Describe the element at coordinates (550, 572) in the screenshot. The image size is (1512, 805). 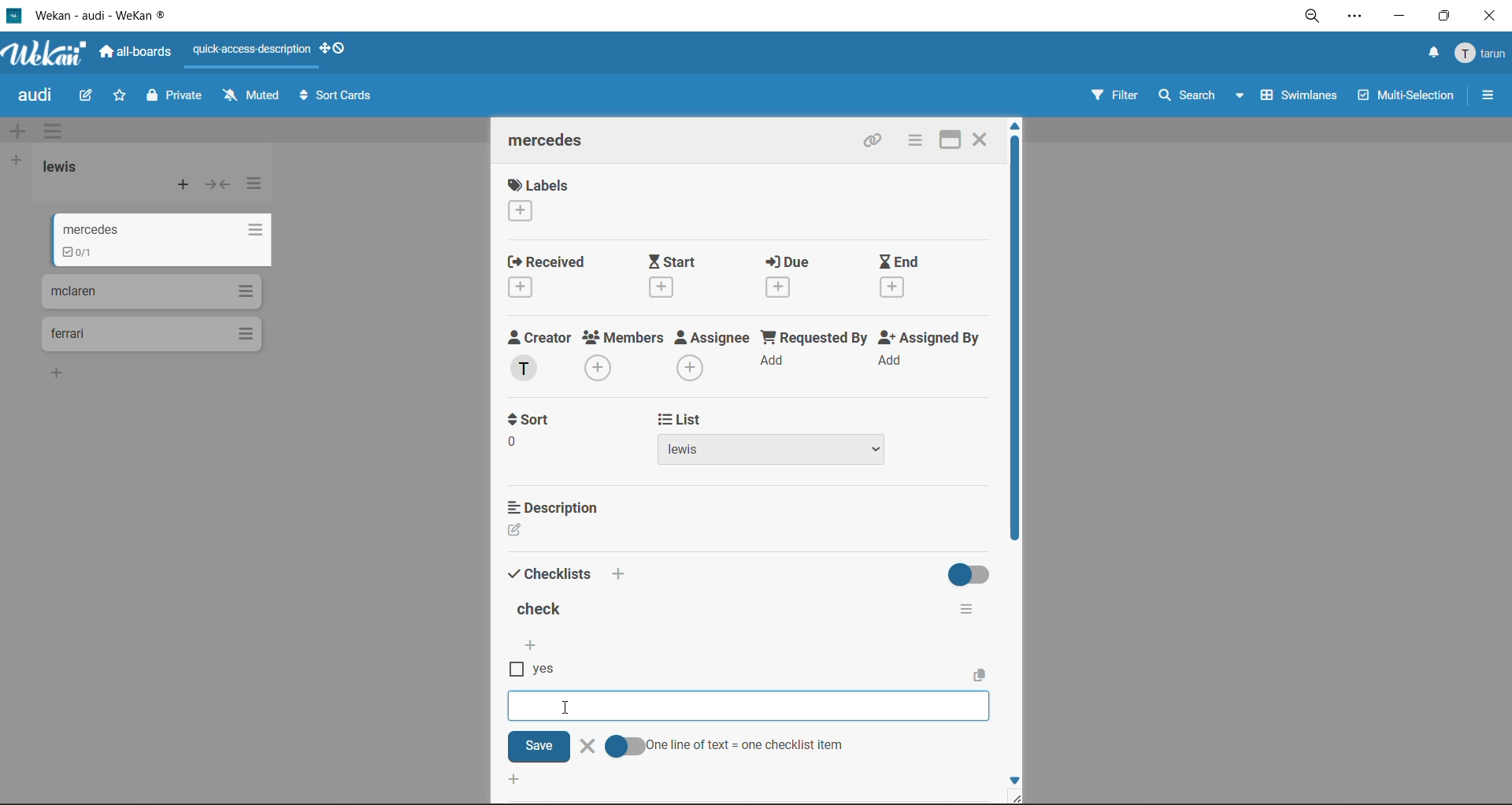
I see `checklists` at that location.